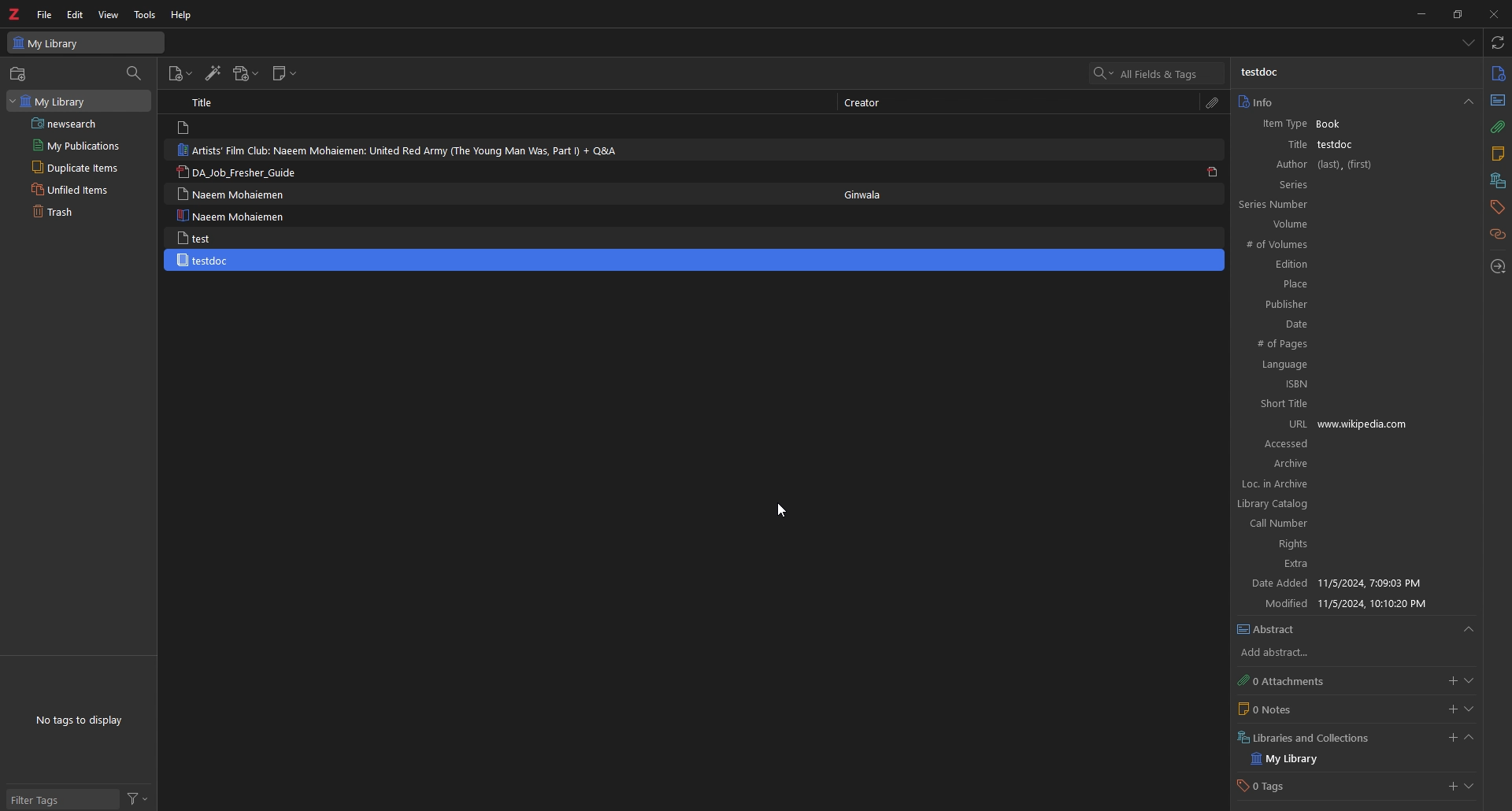 The image size is (1512, 811). What do you see at coordinates (1497, 42) in the screenshot?
I see `sync with zotero.org` at bounding box center [1497, 42].